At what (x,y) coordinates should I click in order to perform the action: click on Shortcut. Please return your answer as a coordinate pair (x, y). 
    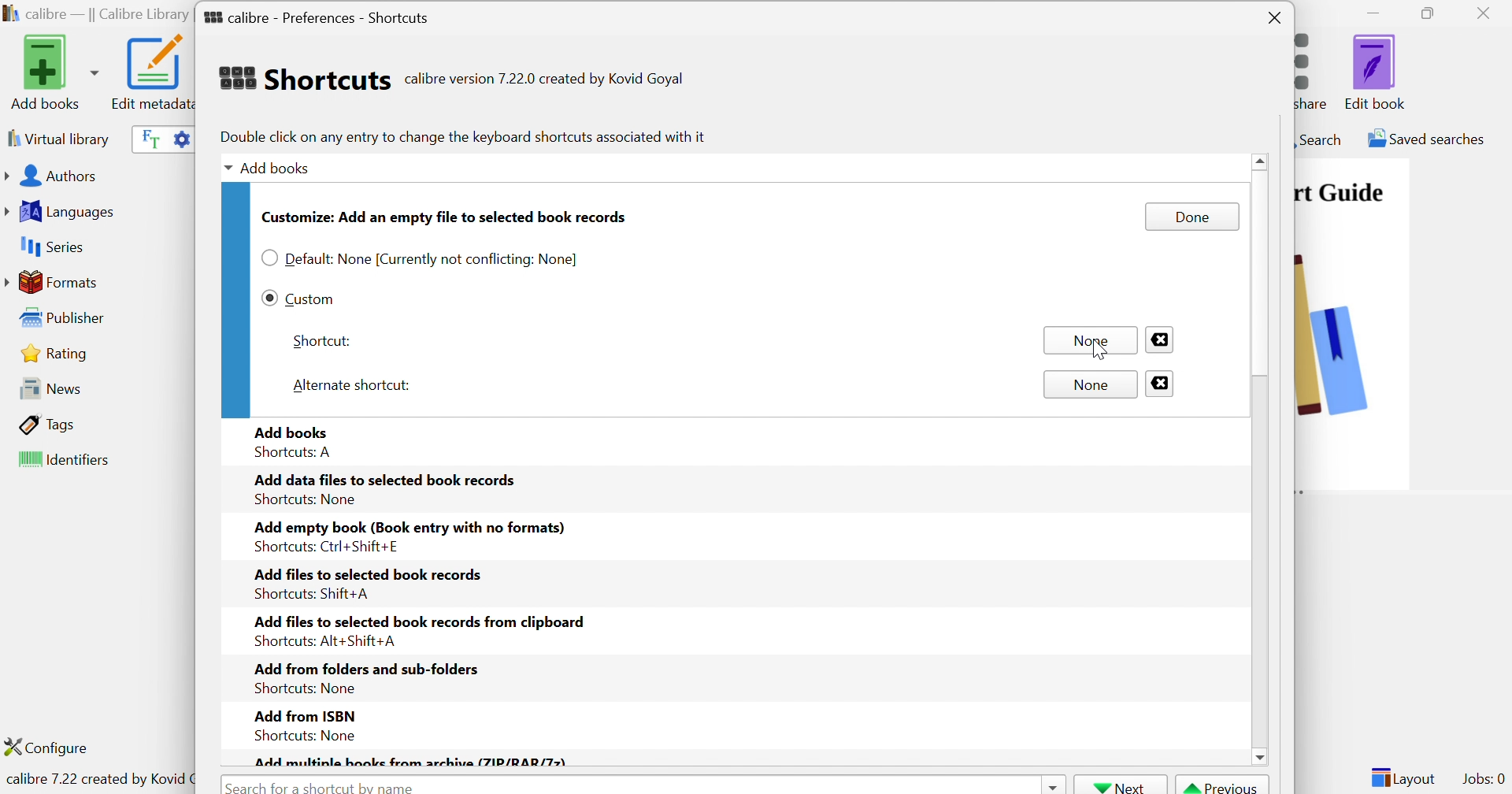
    Looking at the image, I should click on (321, 341).